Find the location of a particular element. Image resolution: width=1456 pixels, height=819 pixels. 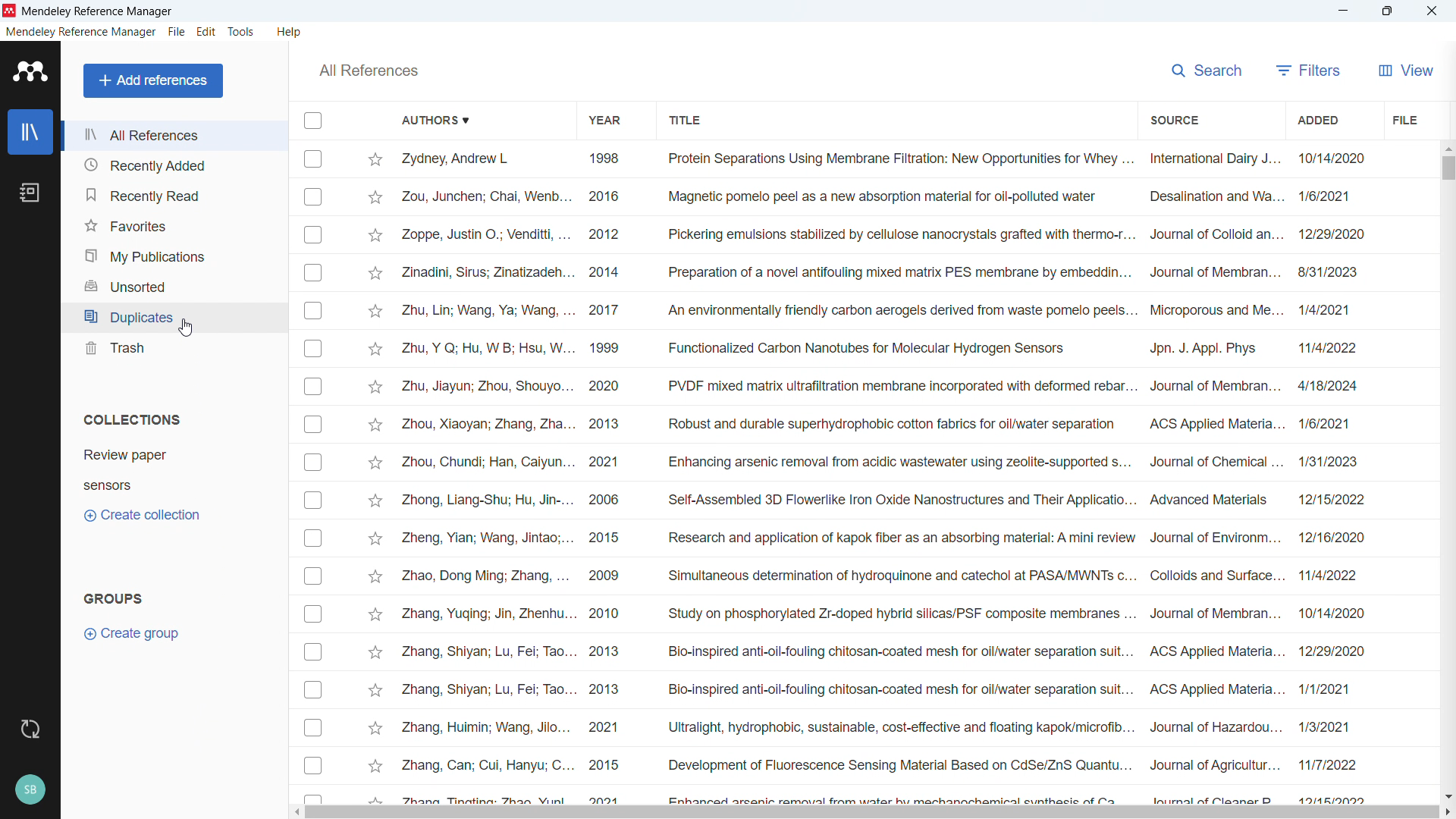

Collection 2  is located at coordinates (110, 485).